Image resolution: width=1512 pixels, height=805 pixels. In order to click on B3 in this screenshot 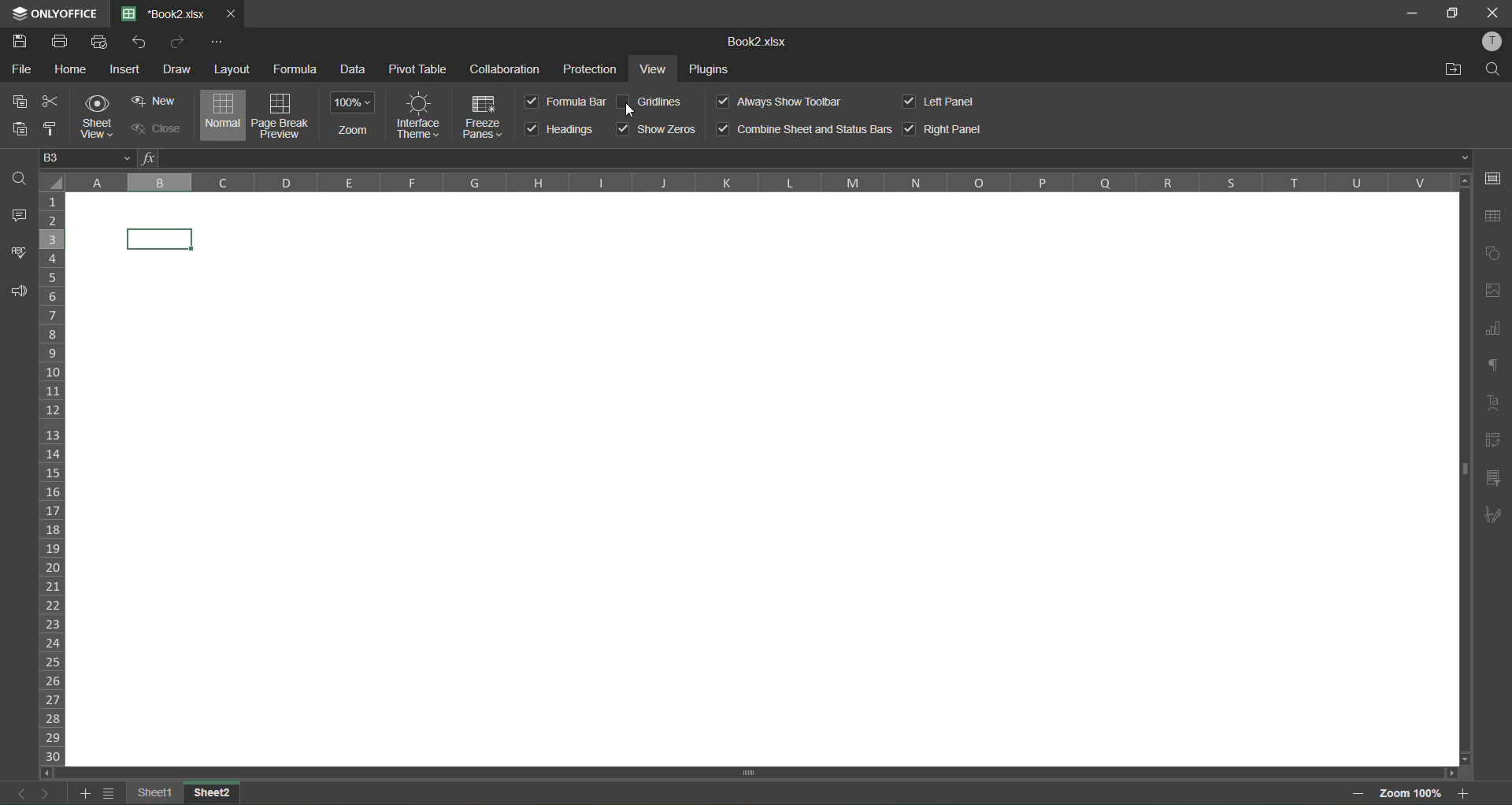, I will do `click(85, 161)`.